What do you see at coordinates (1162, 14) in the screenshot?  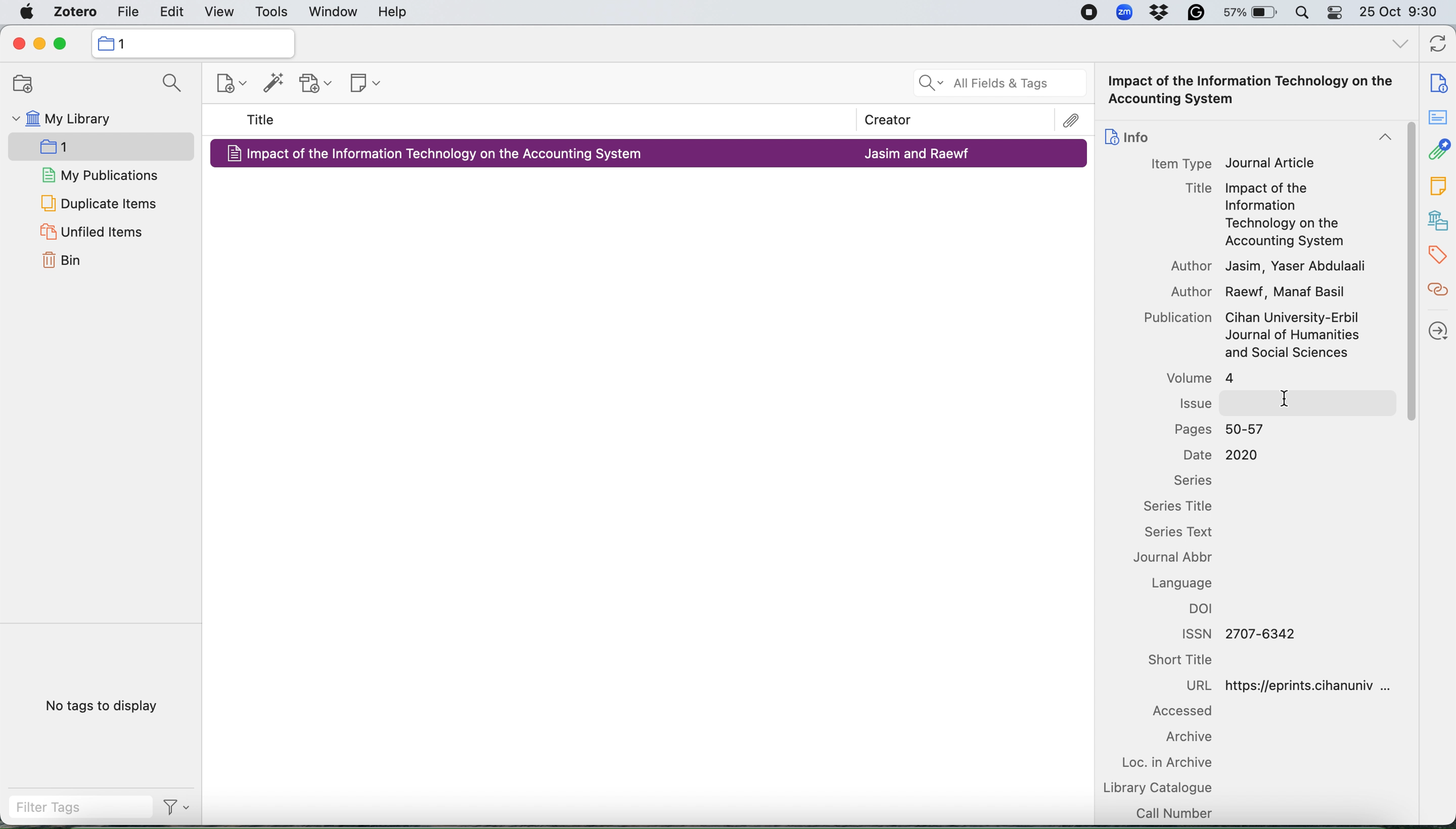 I see `dropbox` at bounding box center [1162, 14].